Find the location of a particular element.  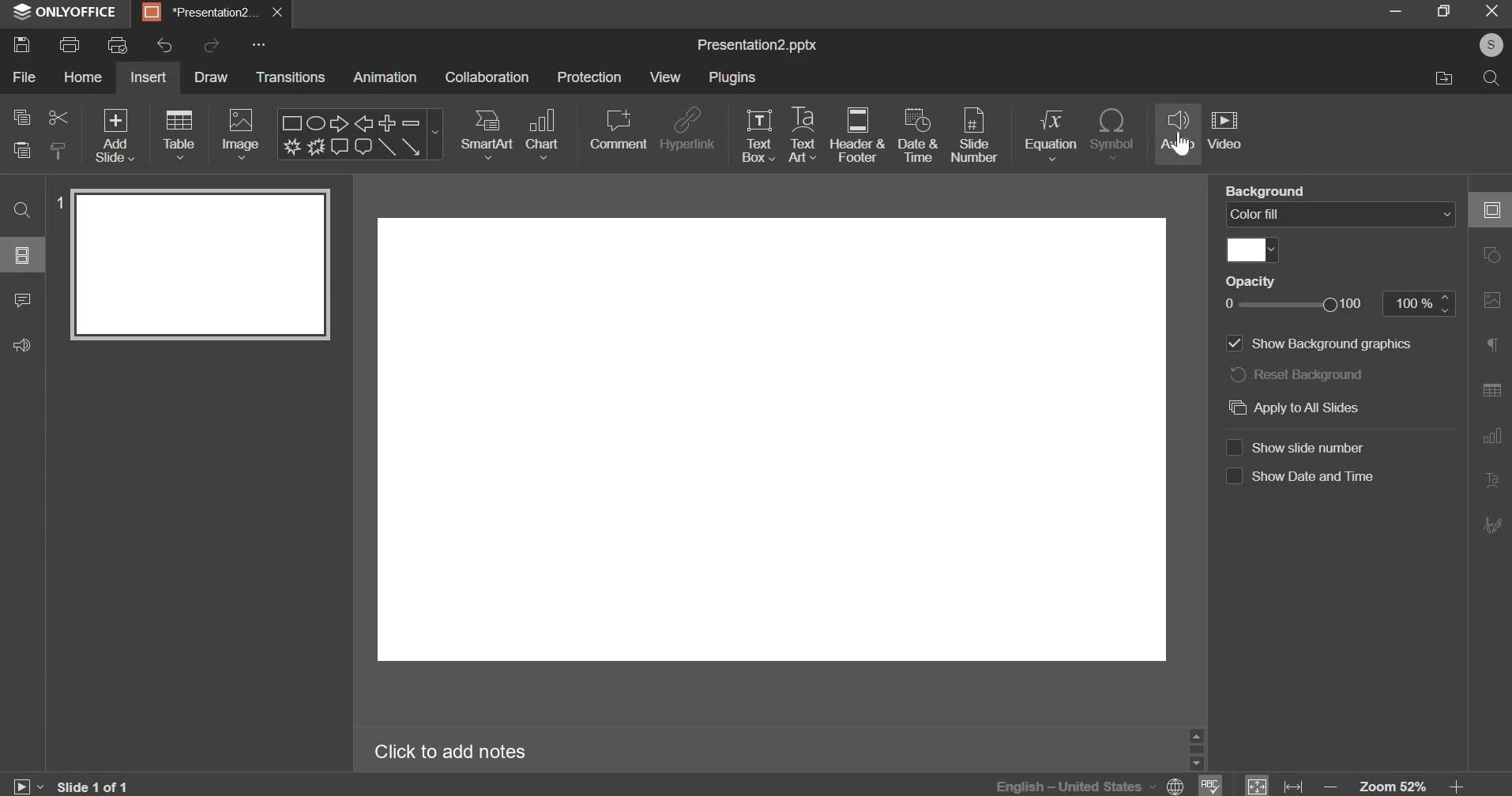

insert symbol is located at coordinates (1115, 133).